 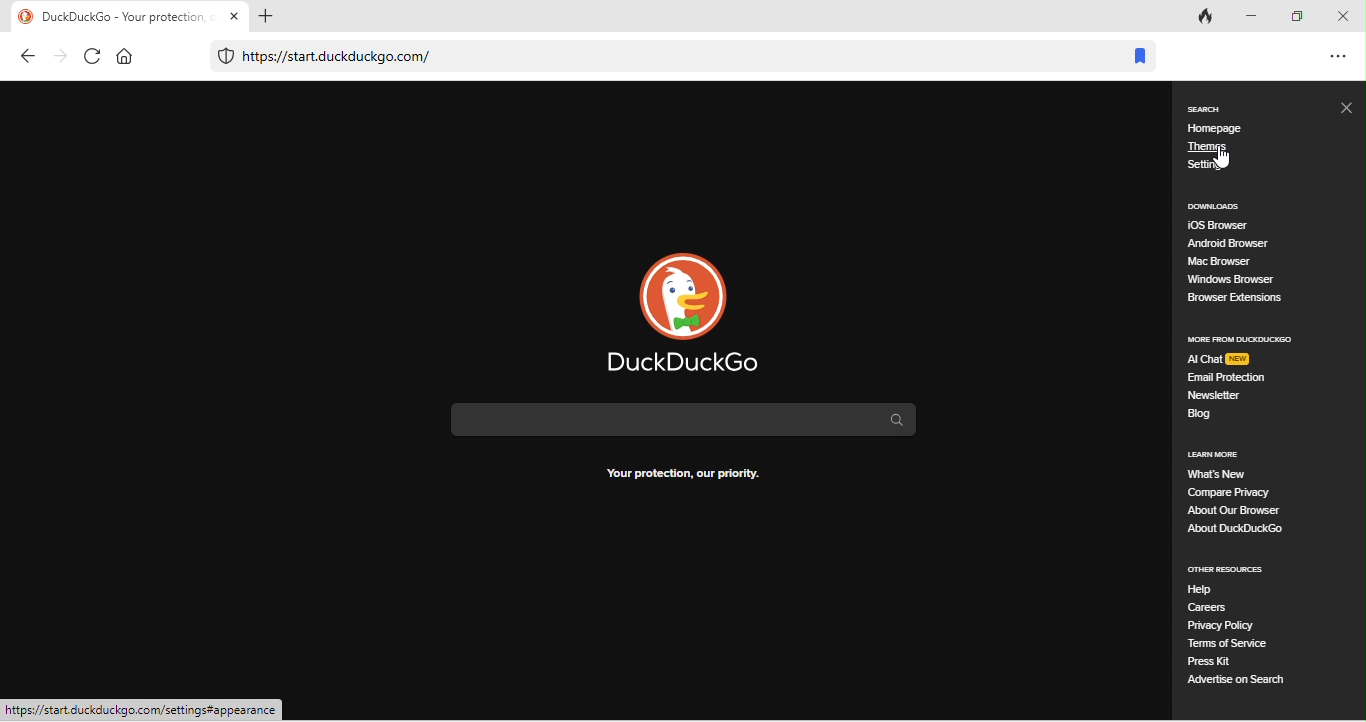 What do you see at coordinates (1221, 204) in the screenshot?
I see `downloads` at bounding box center [1221, 204].